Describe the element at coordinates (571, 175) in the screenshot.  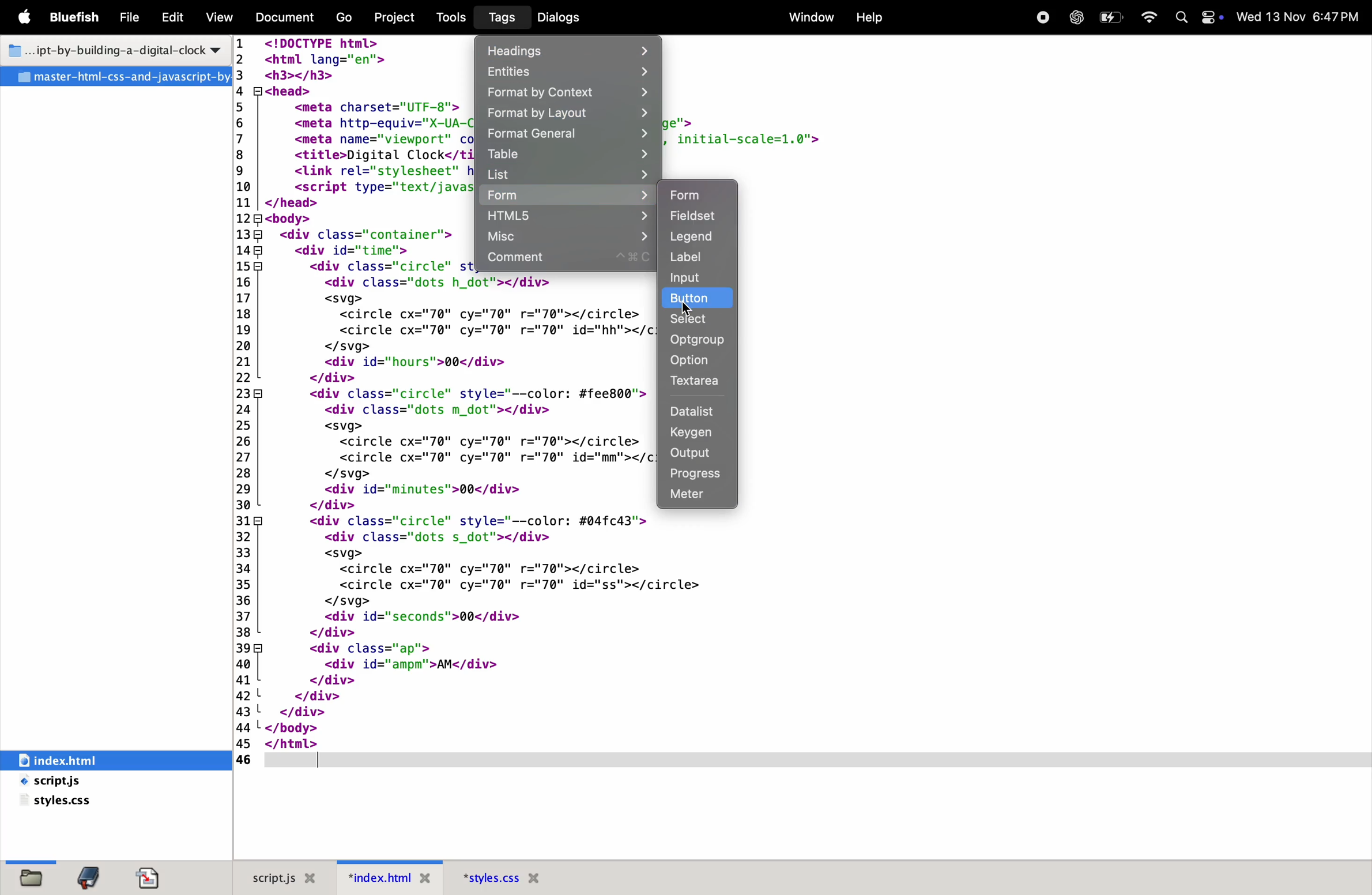
I see `list` at that location.